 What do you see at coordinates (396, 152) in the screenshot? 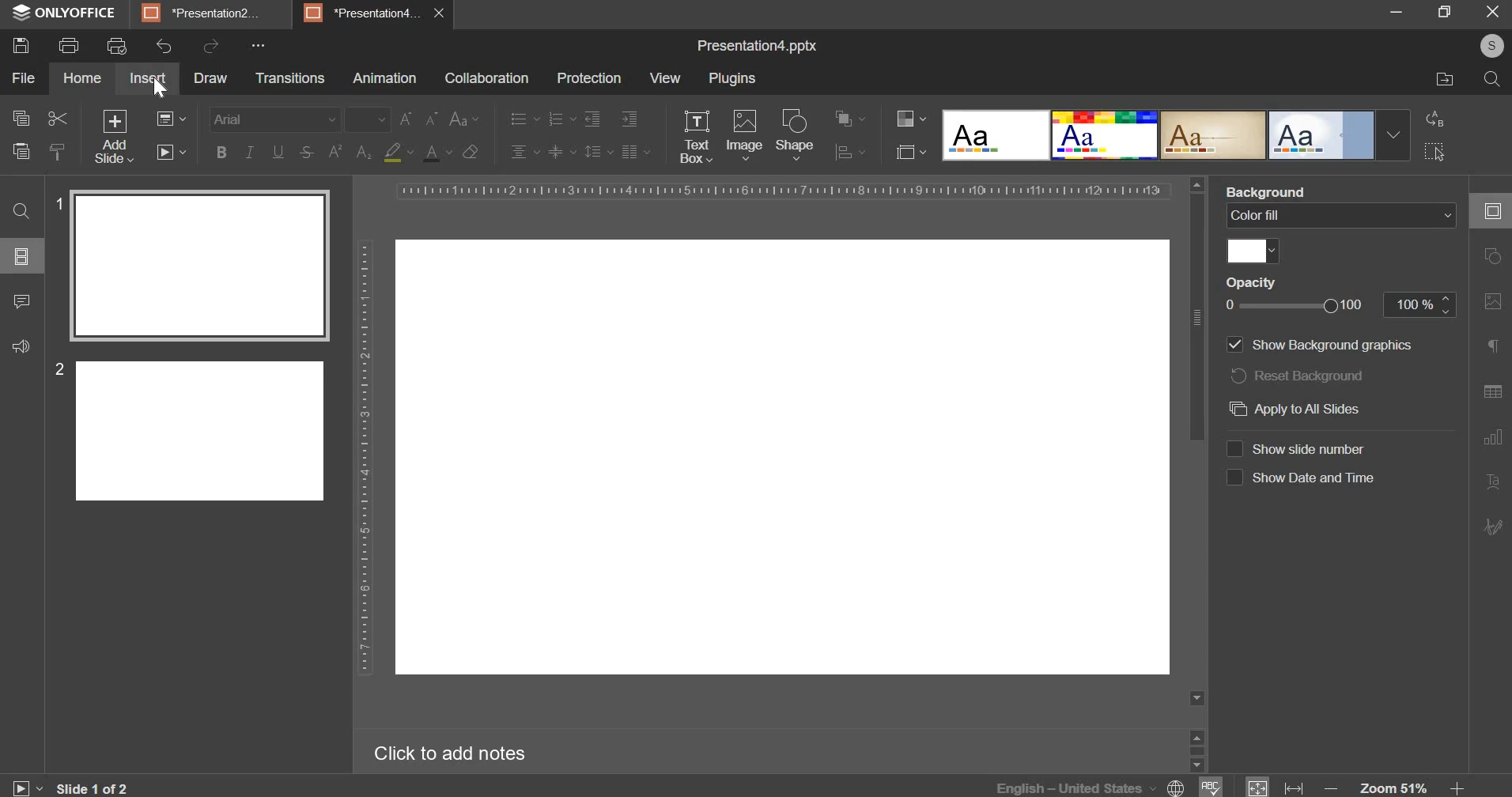
I see `fill color` at bounding box center [396, 152].